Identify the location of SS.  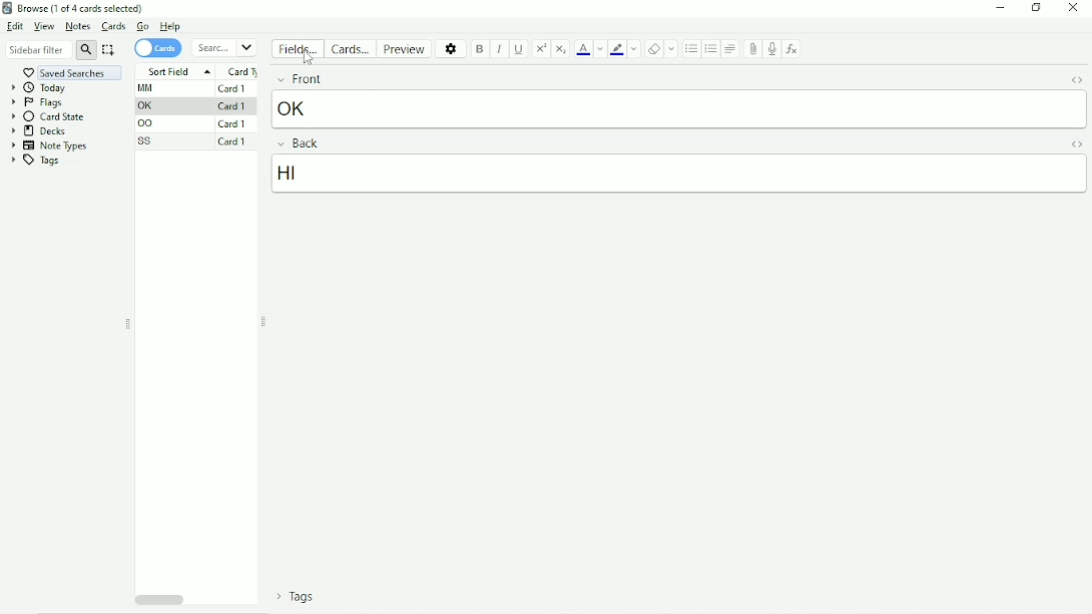
(147, 141).